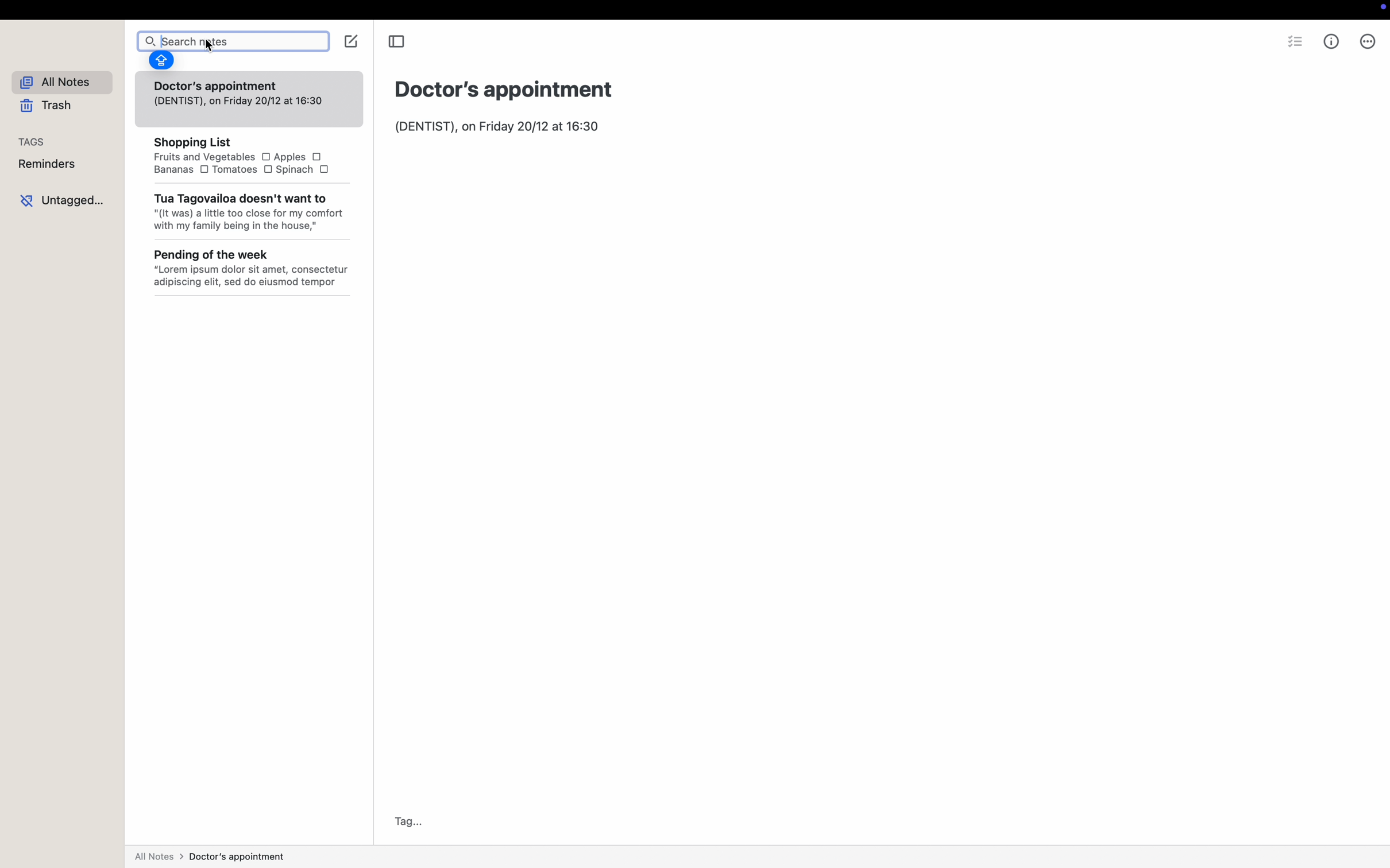 The width and height of the screenshot is (1390, 868). What do you see at coordinates (505, 88) in the screenshot?
I see `Doctor's appointment` at bounding box center [505, 88].